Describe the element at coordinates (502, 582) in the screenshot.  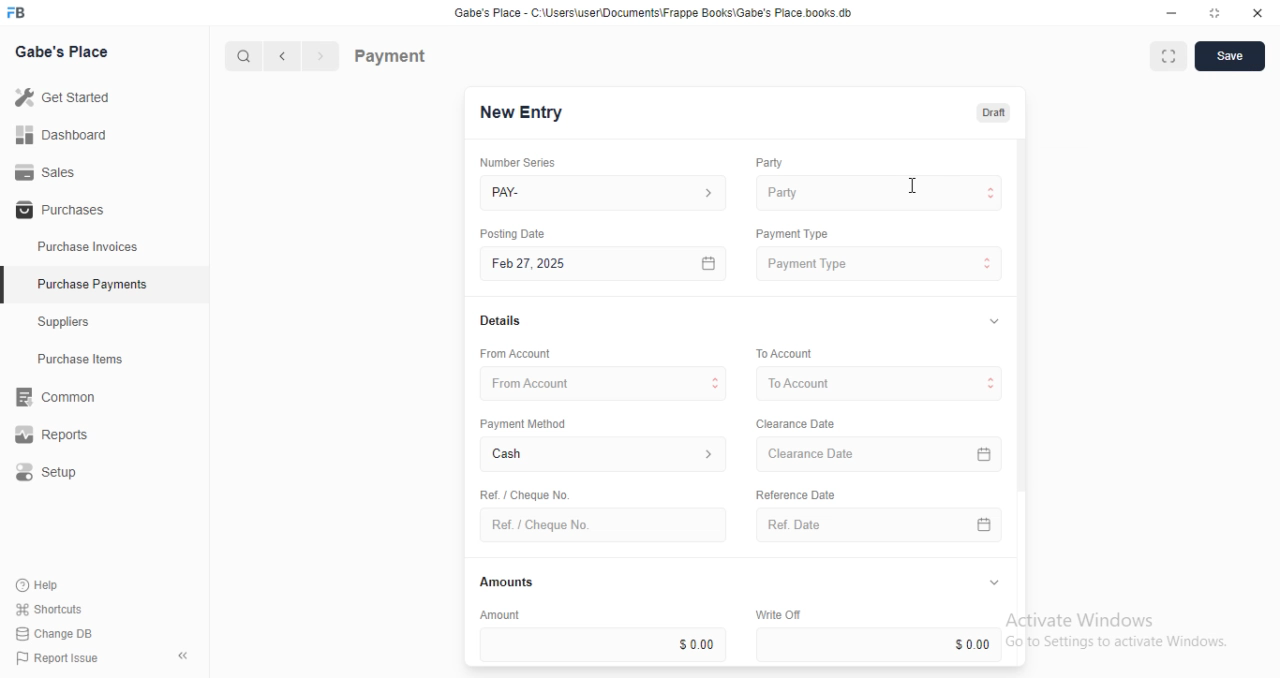
I see `Amounts` at that location.